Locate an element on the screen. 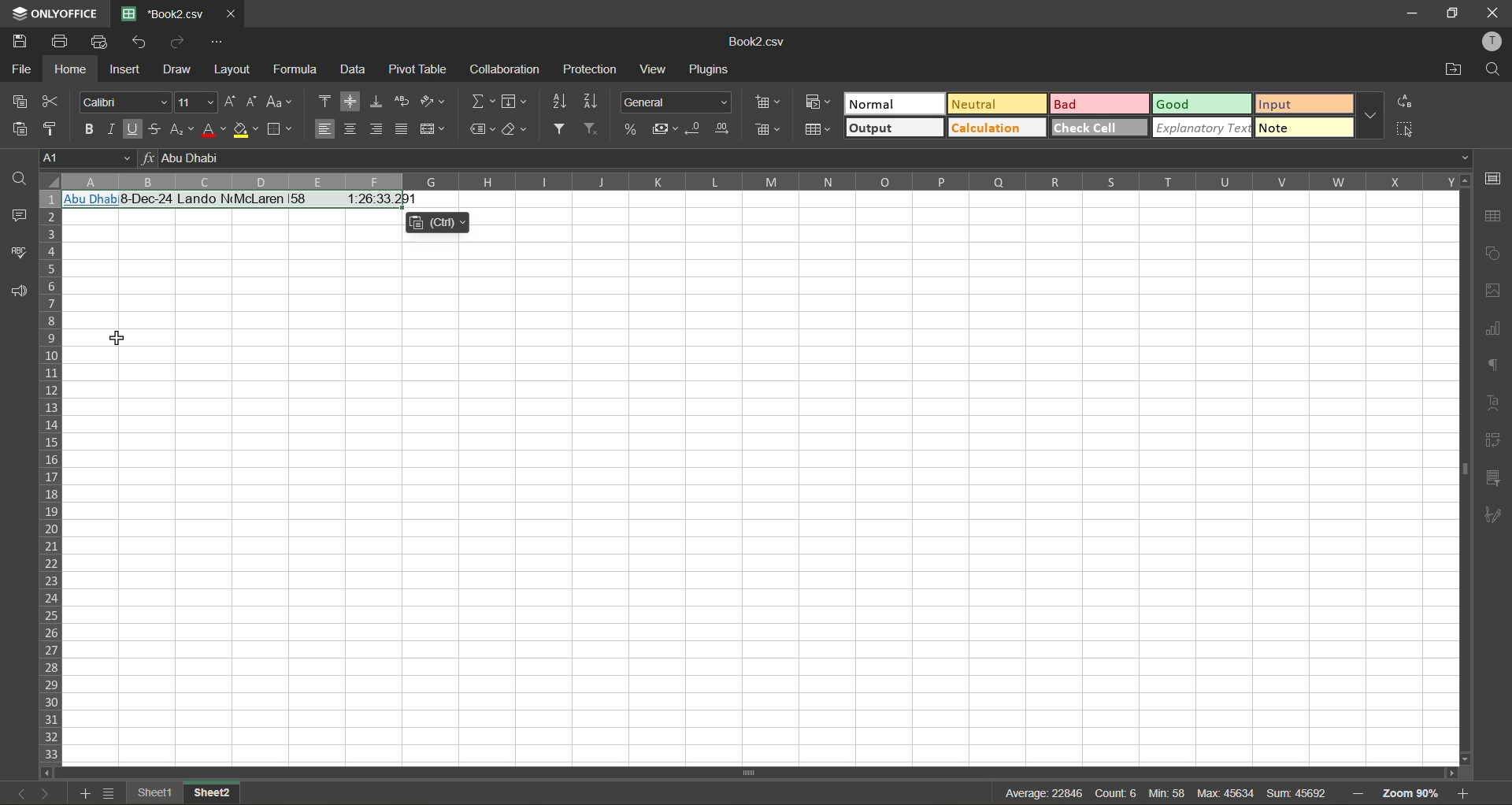  add sheet is located at coordinates (86, 794).